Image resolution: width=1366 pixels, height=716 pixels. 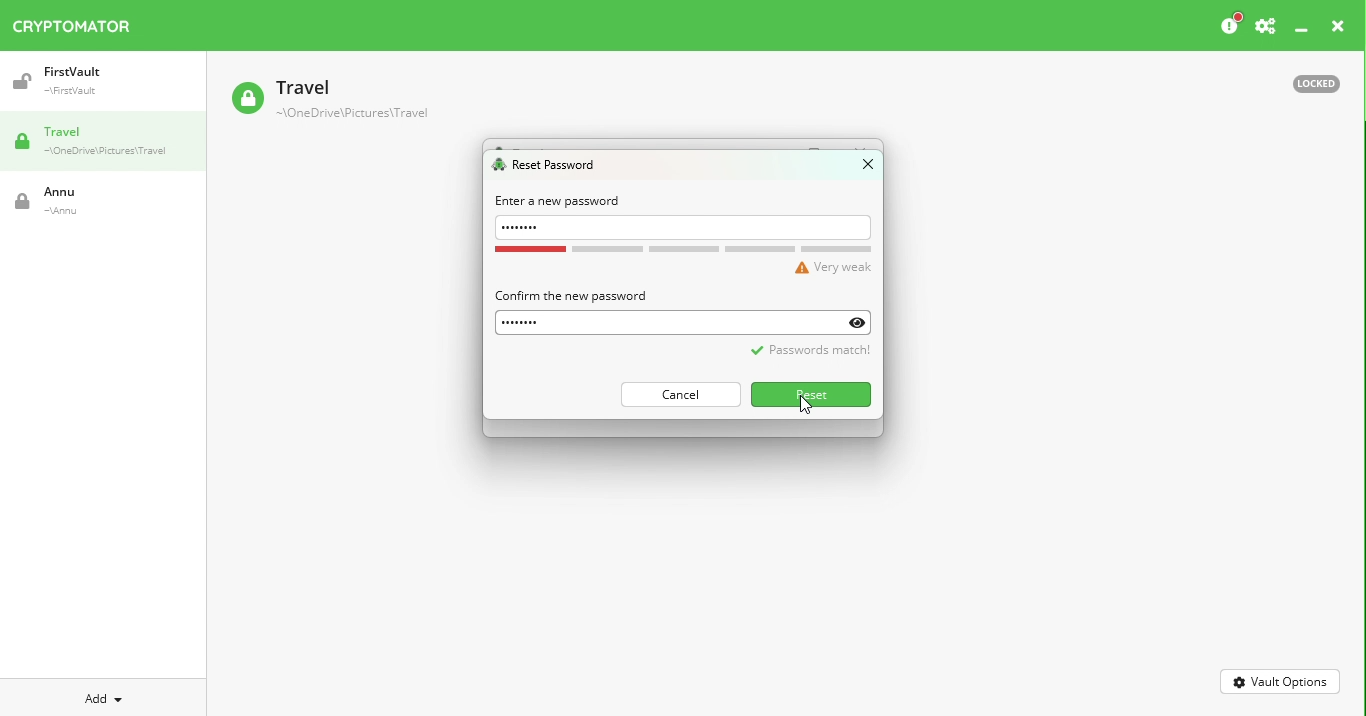 I want to click on Travel, so click(x=110, y=143).